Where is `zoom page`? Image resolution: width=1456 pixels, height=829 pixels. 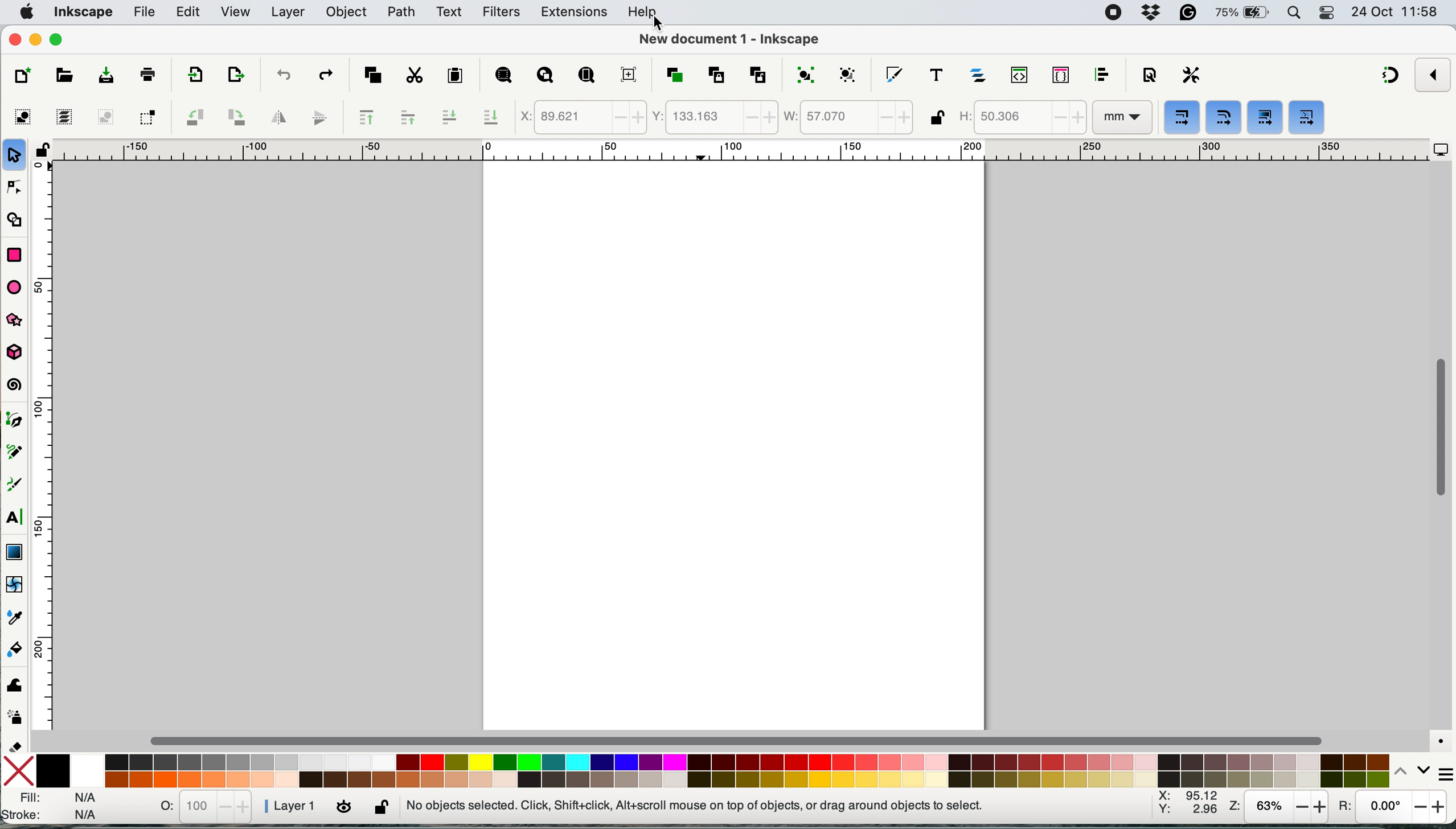 zoom page is located at coordinates (586, 73).